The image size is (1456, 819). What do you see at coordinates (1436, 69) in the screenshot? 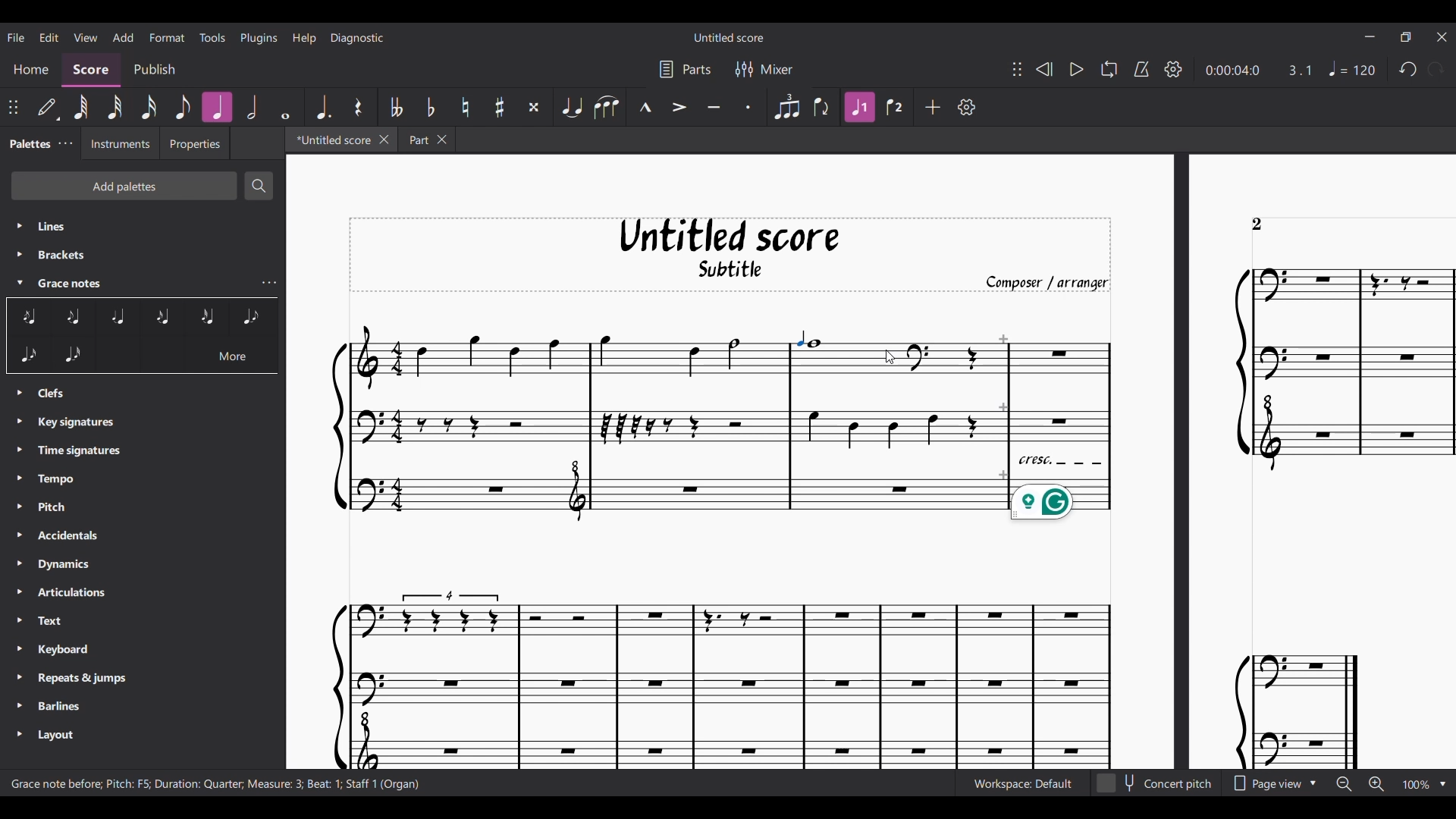
I see `Redo` at bounding box center [1436, 69].